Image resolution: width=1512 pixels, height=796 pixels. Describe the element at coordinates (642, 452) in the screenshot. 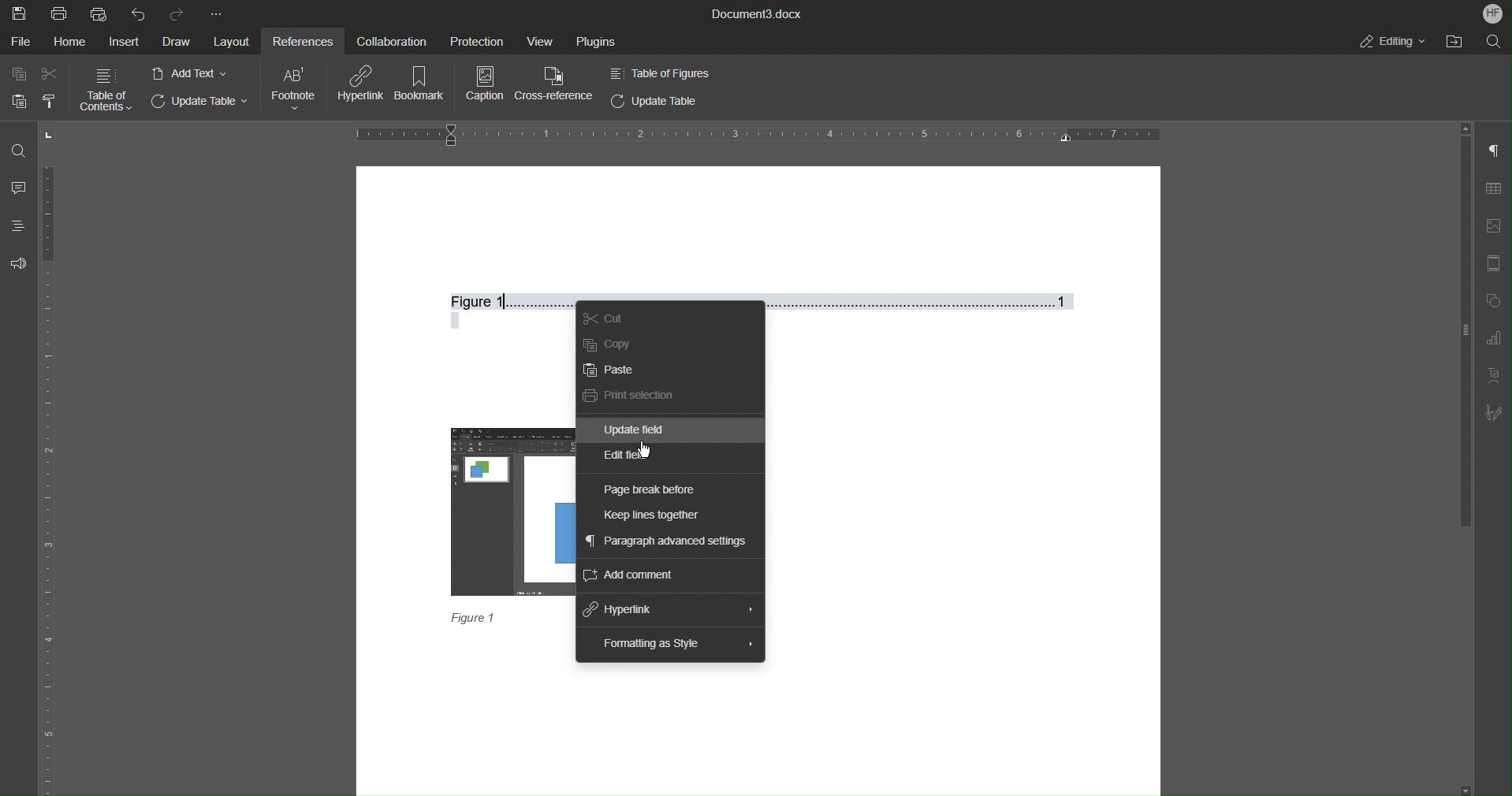

I see `pointer` at that location.